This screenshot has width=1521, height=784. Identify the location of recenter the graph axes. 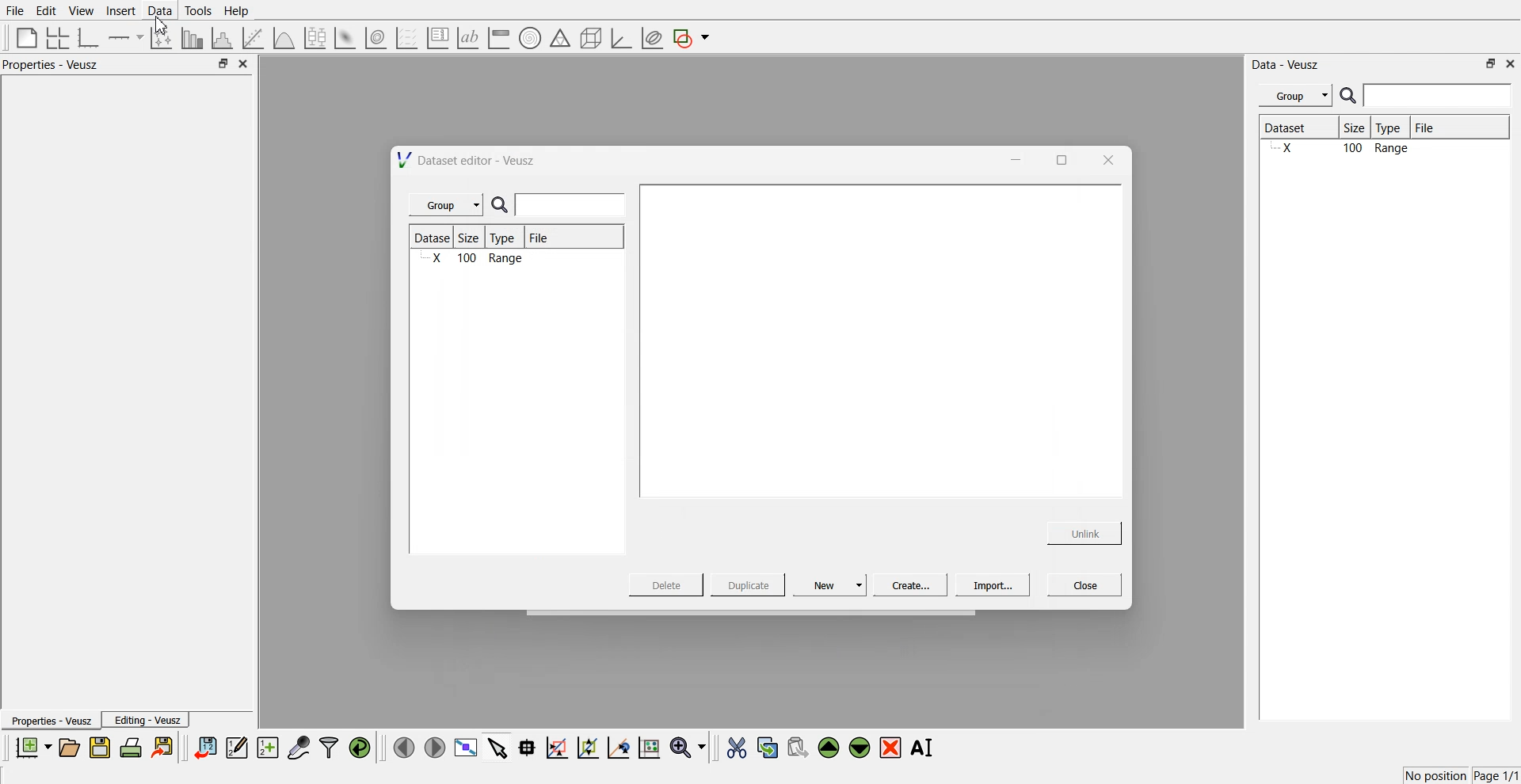
(618, 747).